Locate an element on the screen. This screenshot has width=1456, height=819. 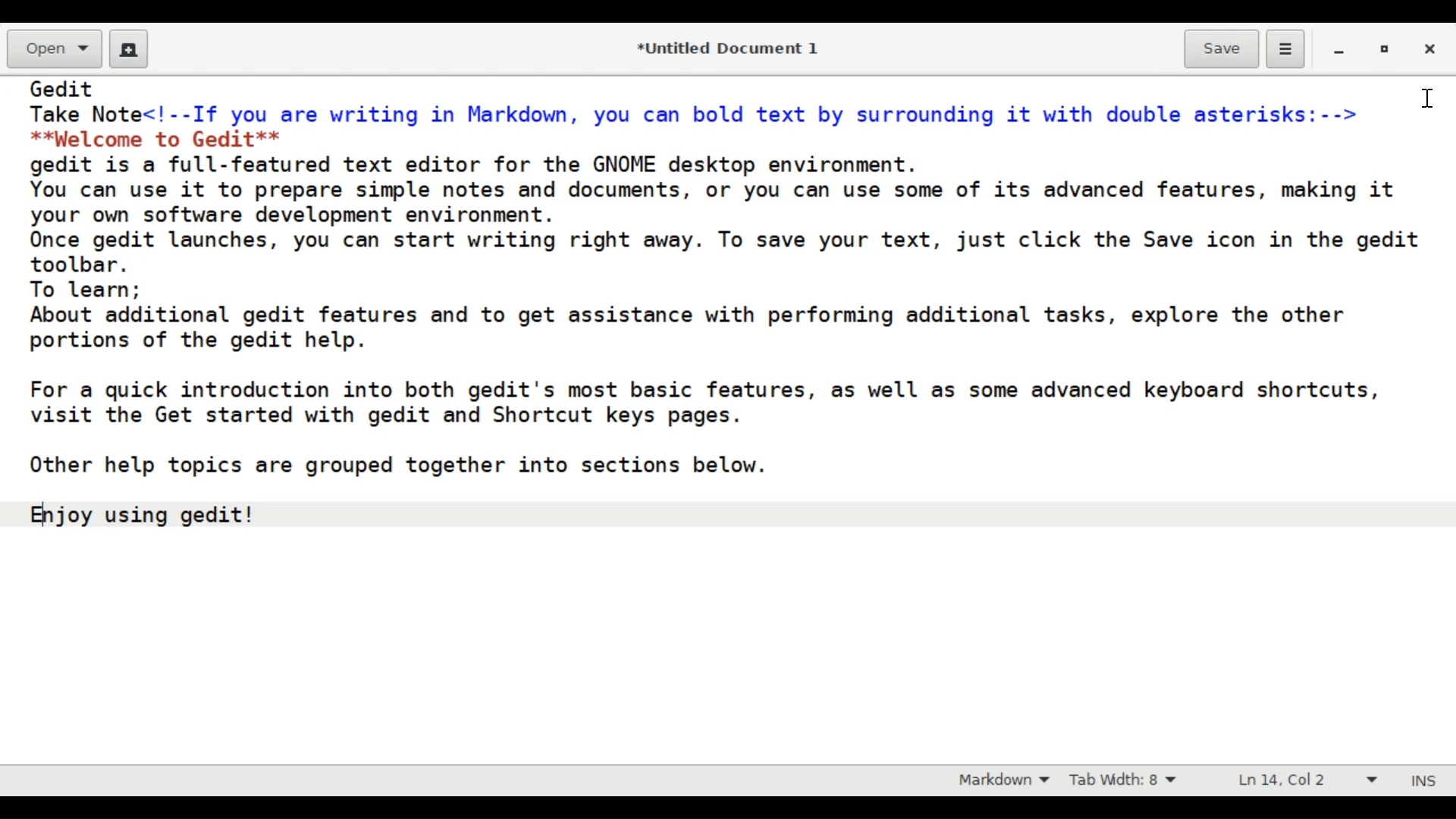
Line & column preference  is located at coordinates (1307, 779).